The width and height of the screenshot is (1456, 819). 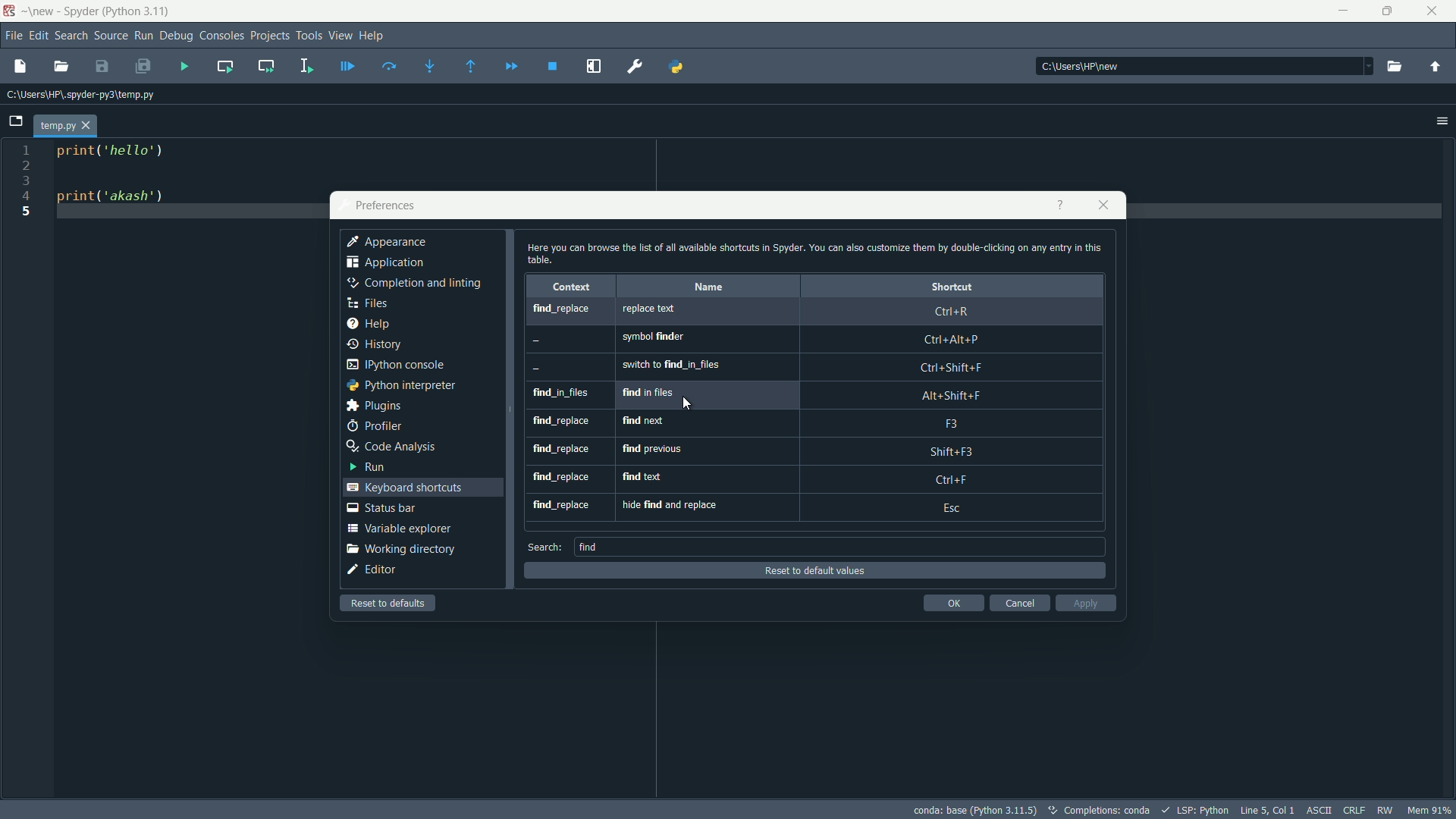 I want to click on shortcut column , so click(x=952, y=285).